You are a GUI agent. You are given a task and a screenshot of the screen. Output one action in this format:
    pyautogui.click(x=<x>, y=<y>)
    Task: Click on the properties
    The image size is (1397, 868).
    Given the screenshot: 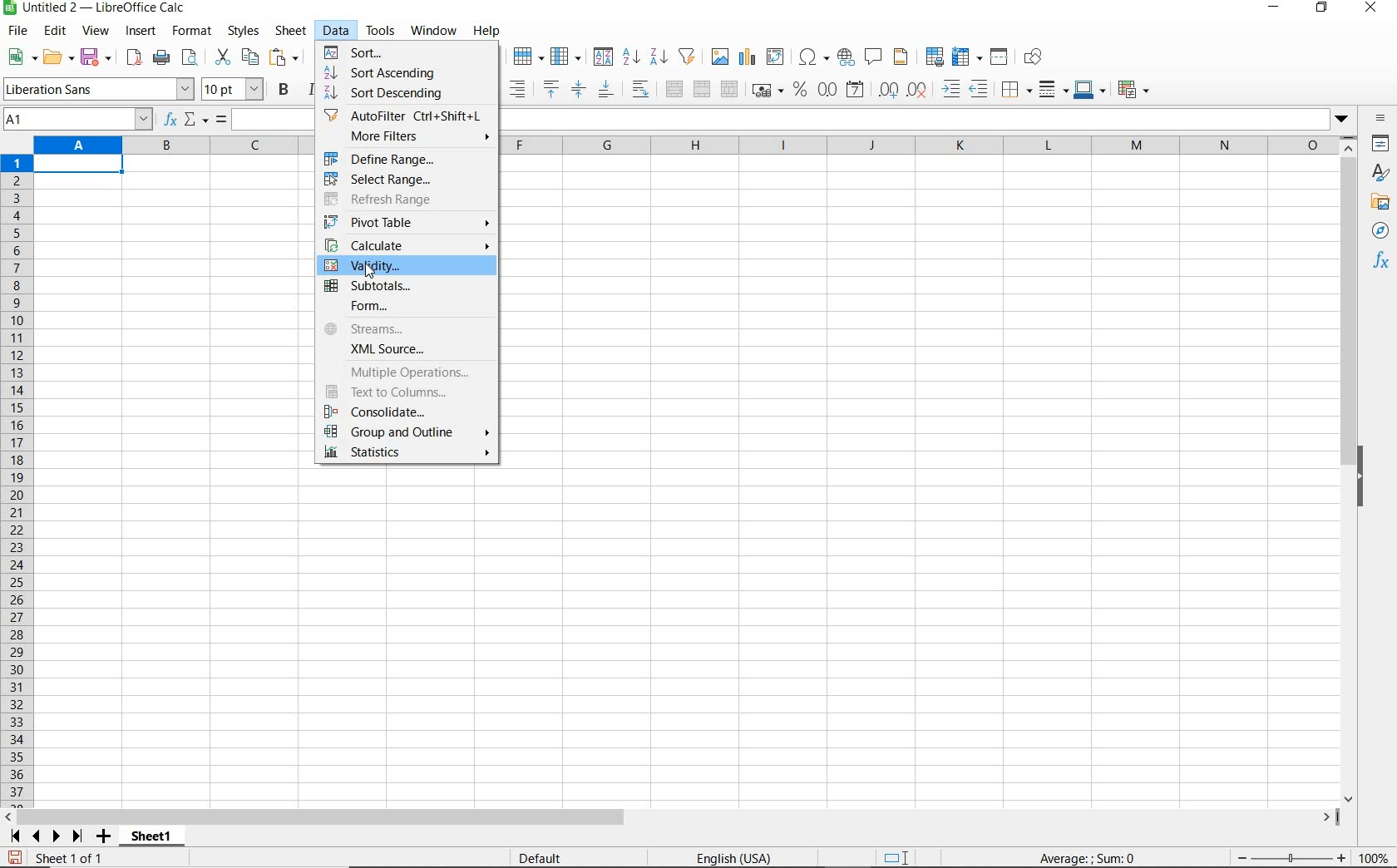 What is the action you would take?
    pyautogui.click(x=1382, y=145)
    